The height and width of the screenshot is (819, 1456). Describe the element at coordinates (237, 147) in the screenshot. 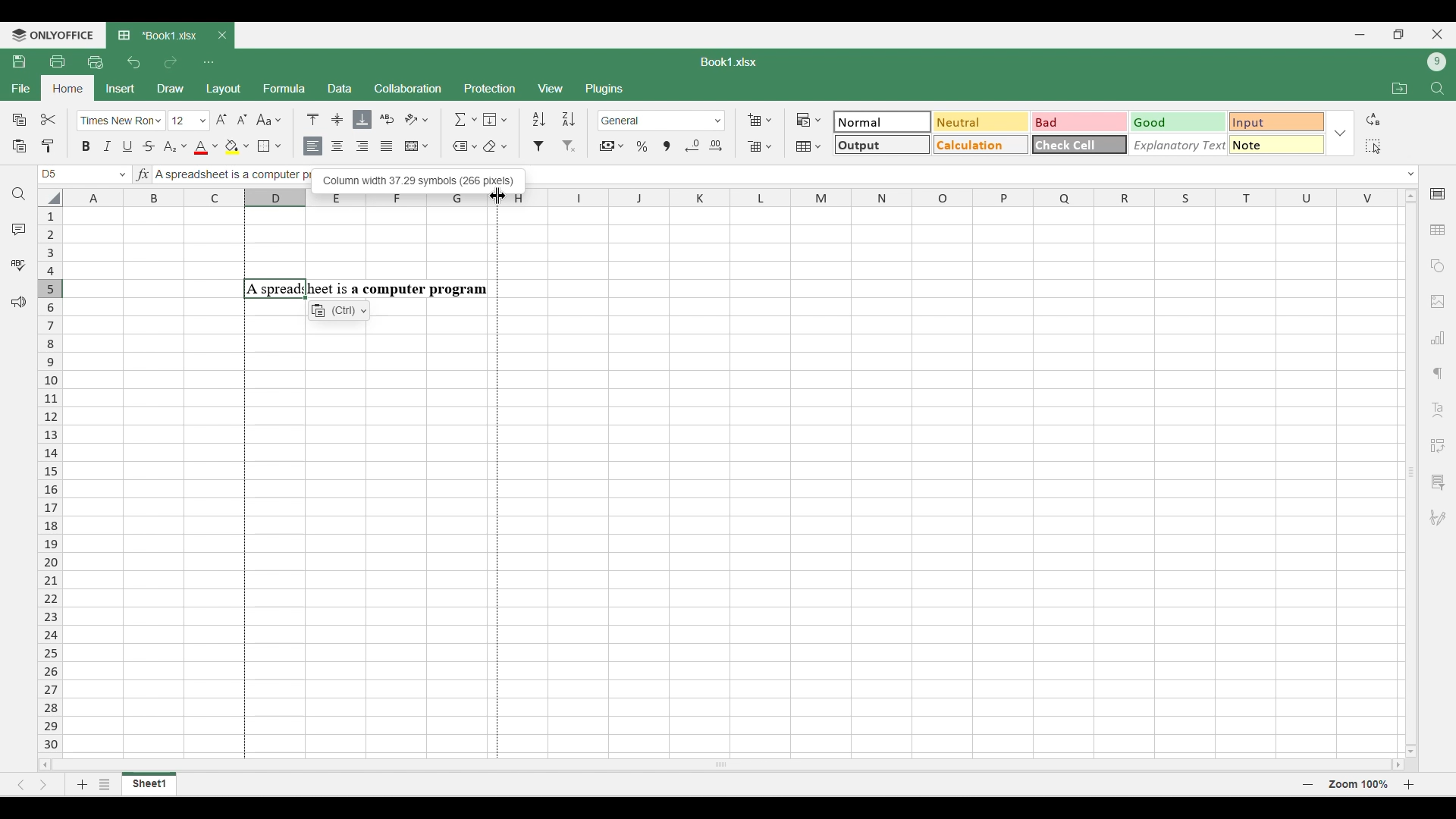

I see `Fill color` at that location.